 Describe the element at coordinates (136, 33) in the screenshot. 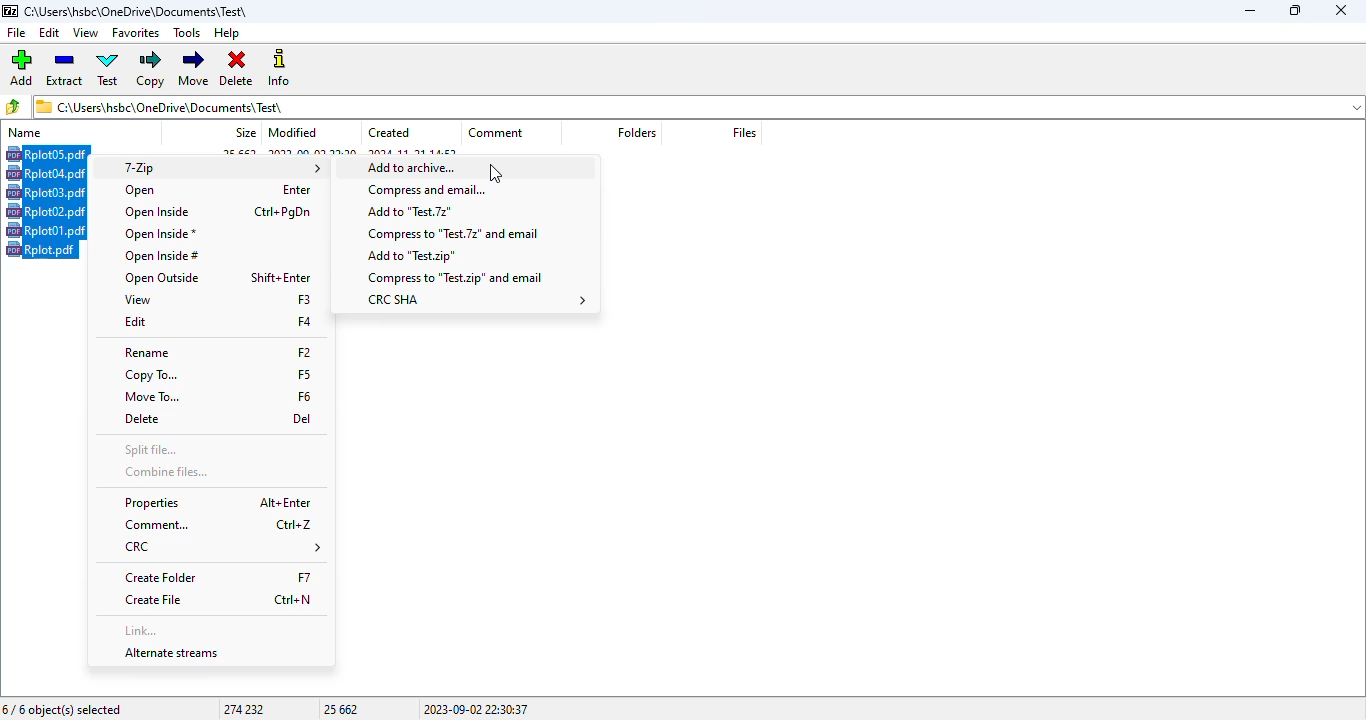

I see `favorites` at that location.